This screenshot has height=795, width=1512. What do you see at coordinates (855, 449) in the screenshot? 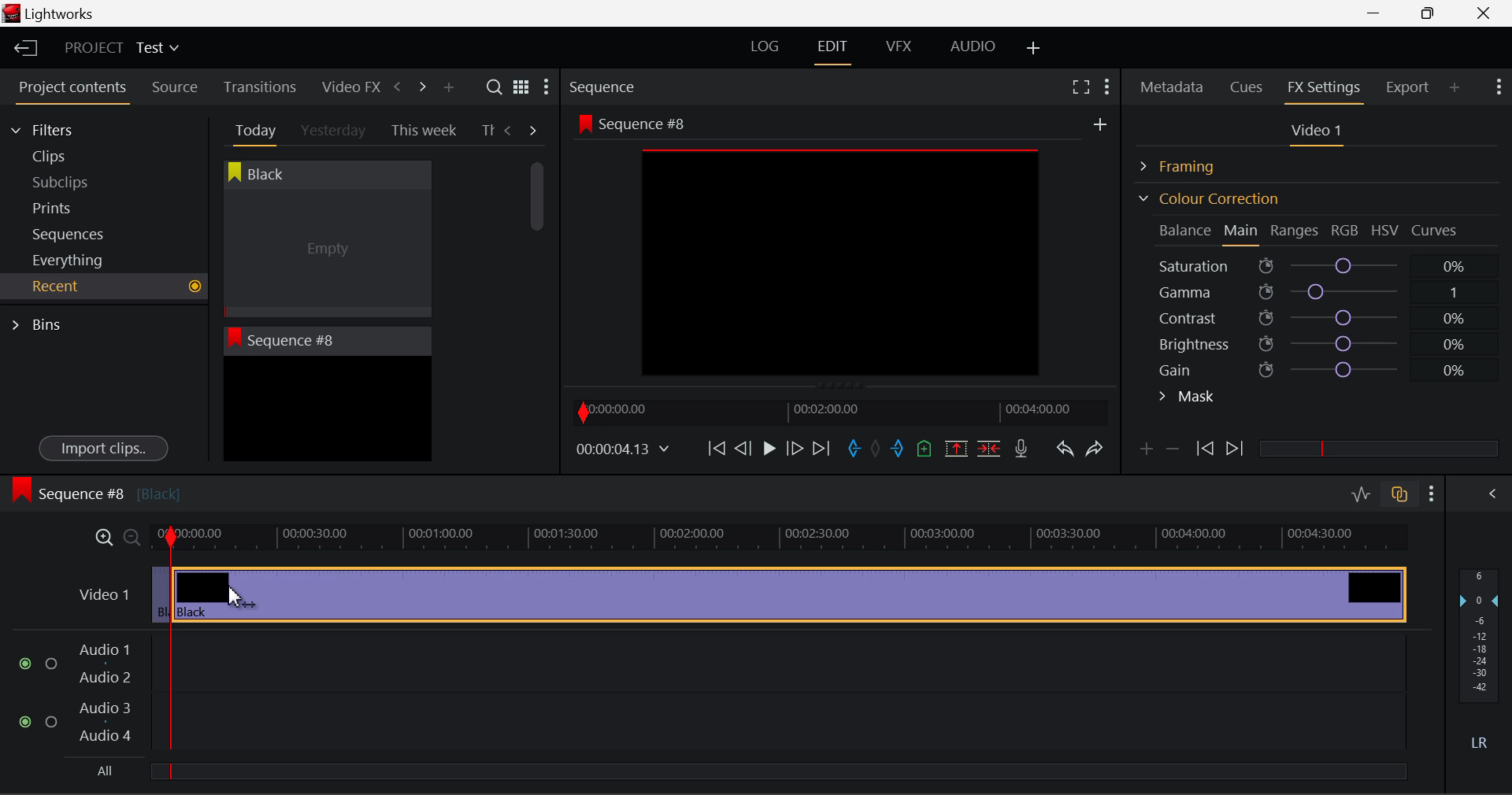
I see `Mark In` at bounding box center [855, 449].